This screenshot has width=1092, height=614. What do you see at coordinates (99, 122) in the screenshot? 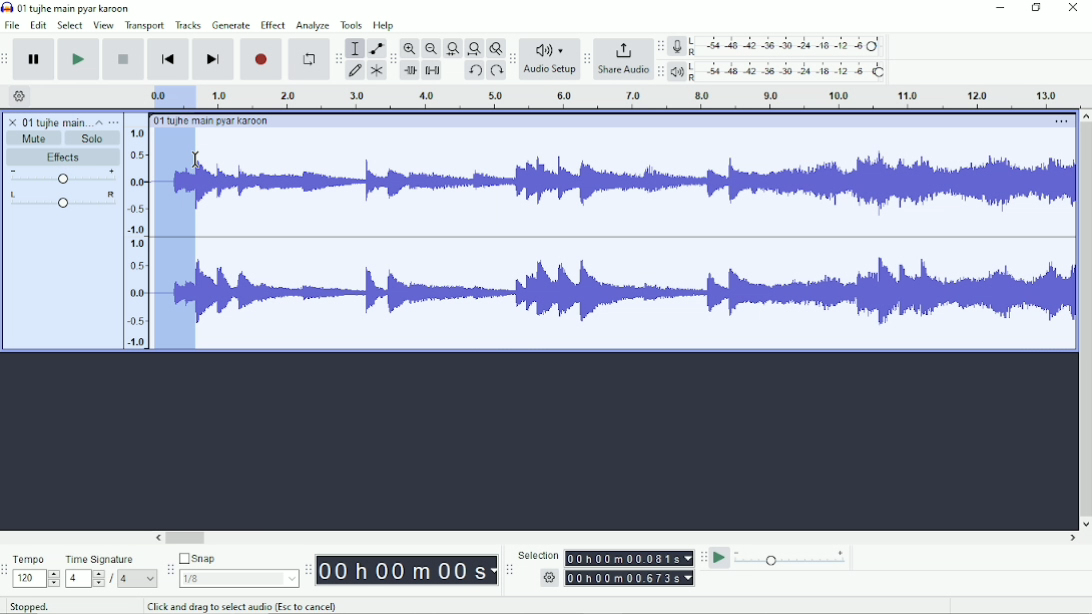
I see `Collapse` at bounding box center [99, 122].